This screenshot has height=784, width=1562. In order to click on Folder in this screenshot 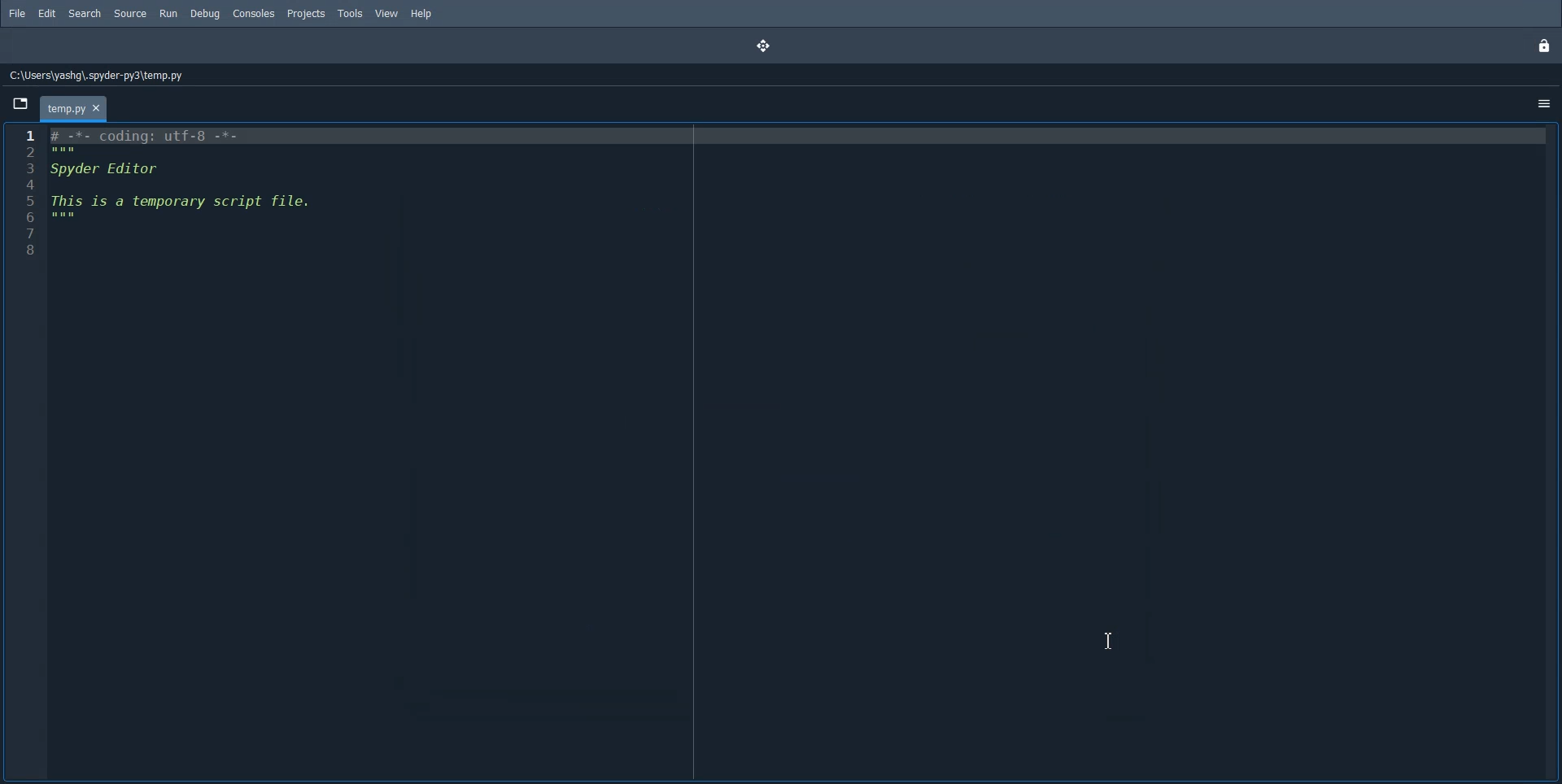, I will do `click(76, 109)`.